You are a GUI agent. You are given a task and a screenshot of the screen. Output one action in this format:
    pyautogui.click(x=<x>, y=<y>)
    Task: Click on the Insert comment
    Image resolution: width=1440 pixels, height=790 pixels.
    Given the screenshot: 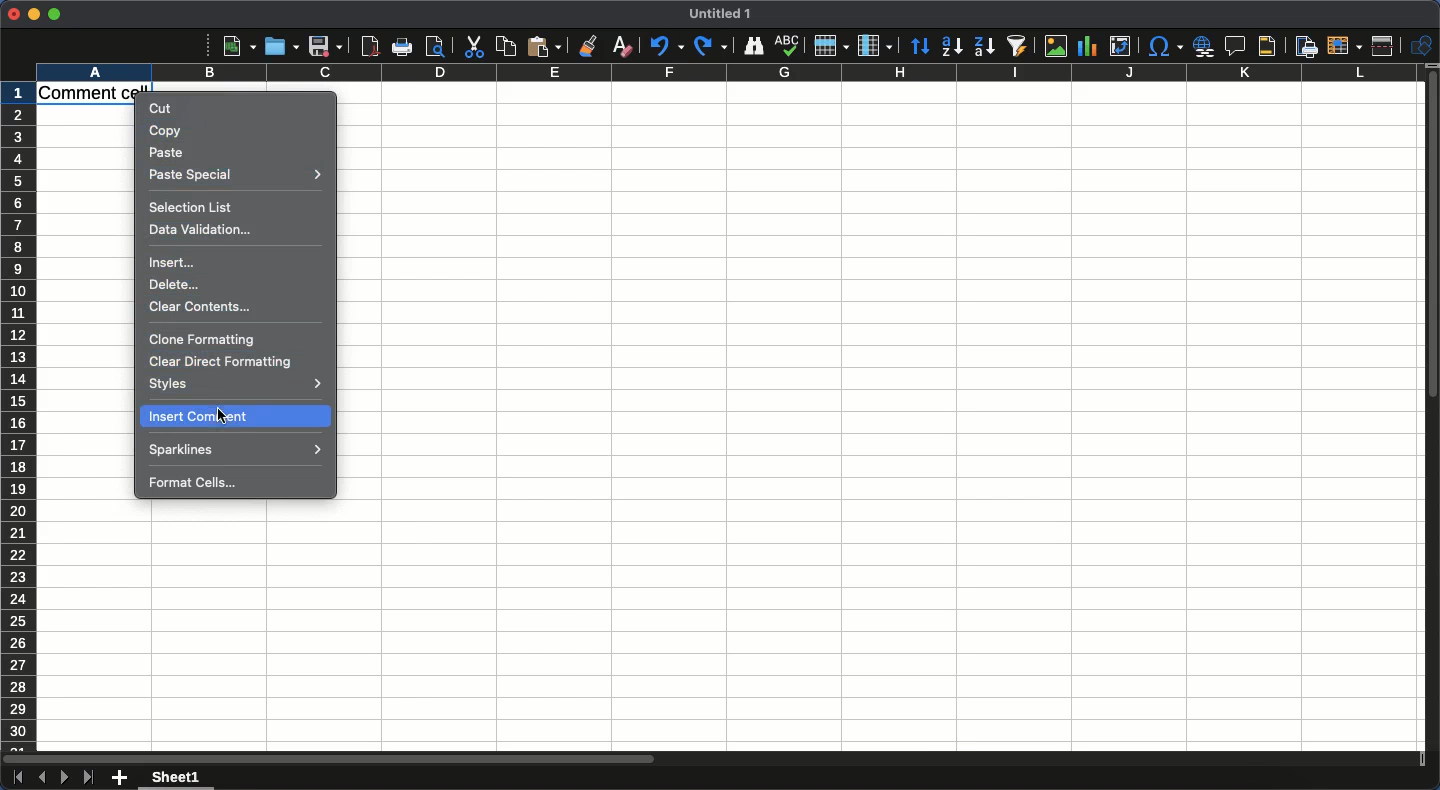 What is the action you would take?
    pyautogui.click(x=236, y=418)
    